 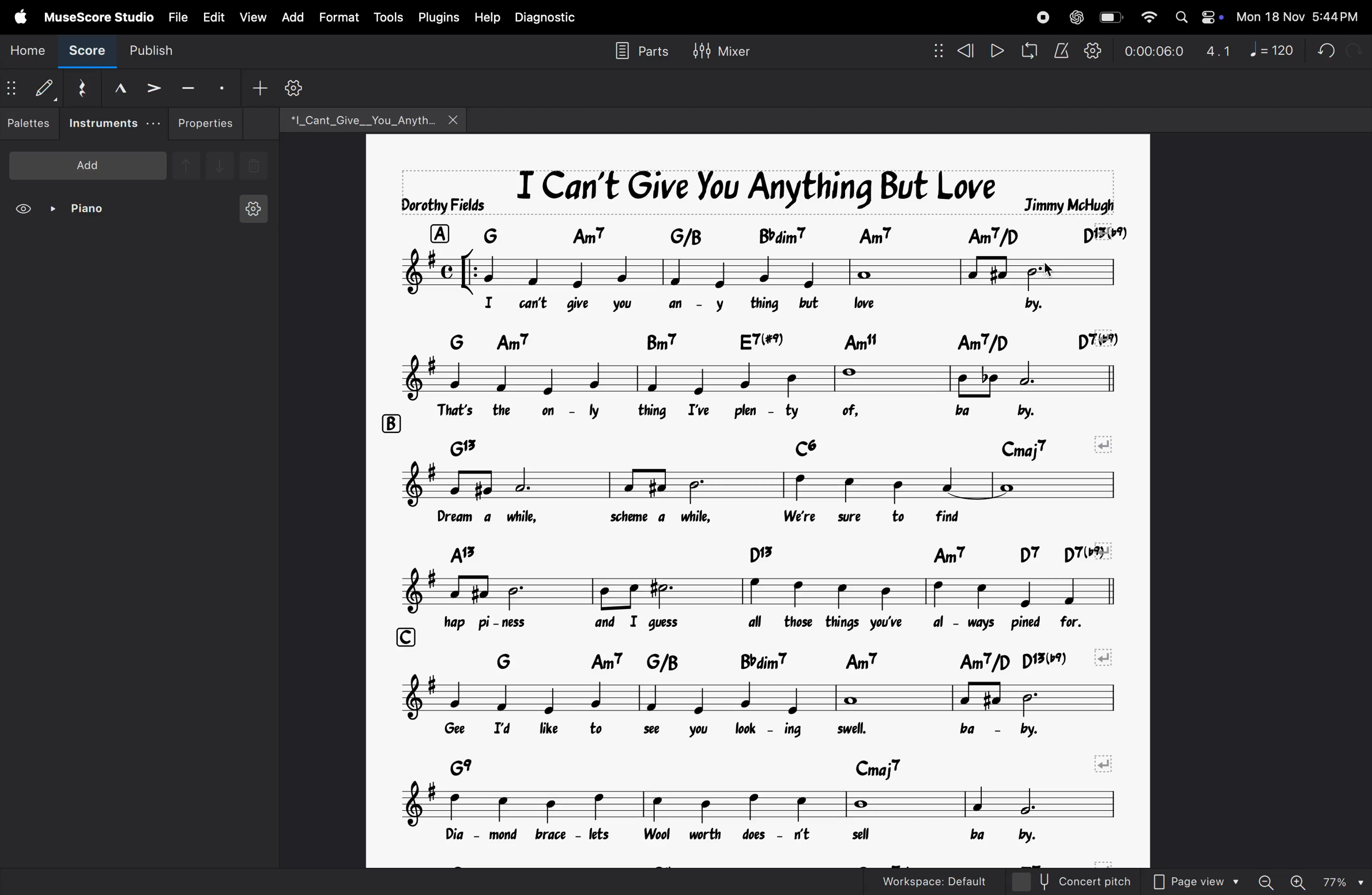 I want to click on parts, so click(x=641, y=51).